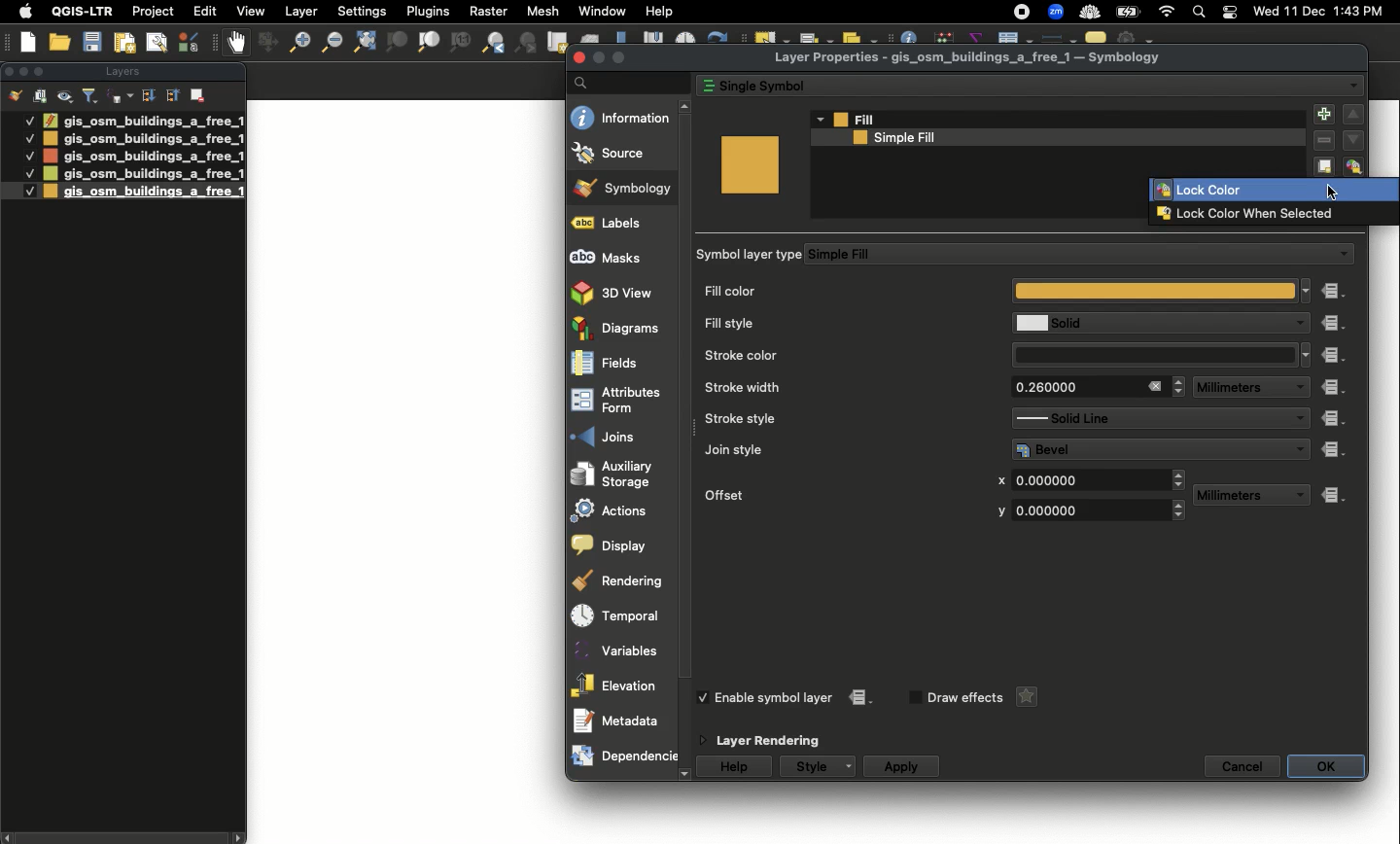  I want to click on Save, so click(92, 43).